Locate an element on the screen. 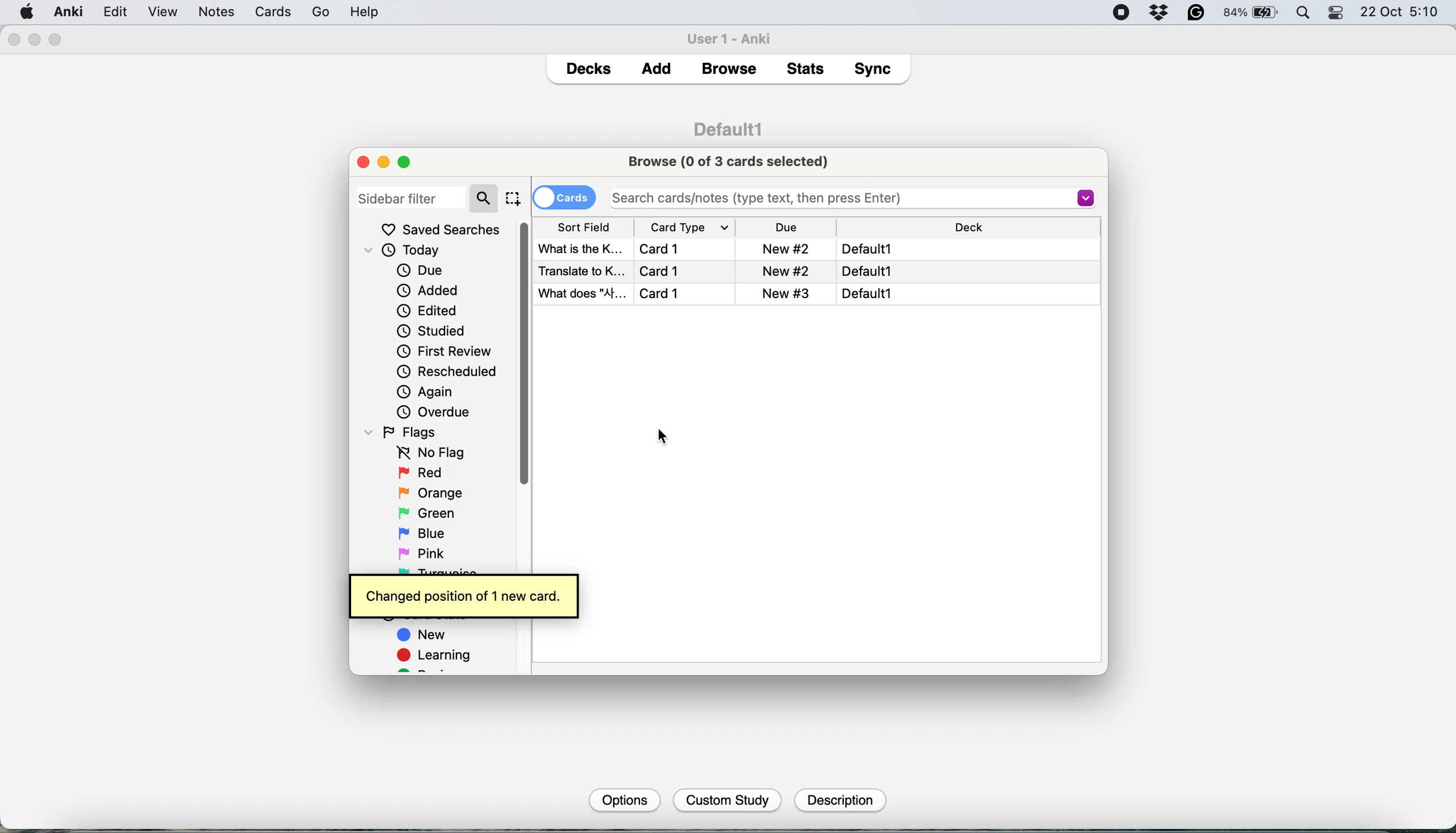 This screenshot has width=1456, height=833. battery is located at coordinates (1252, 13).